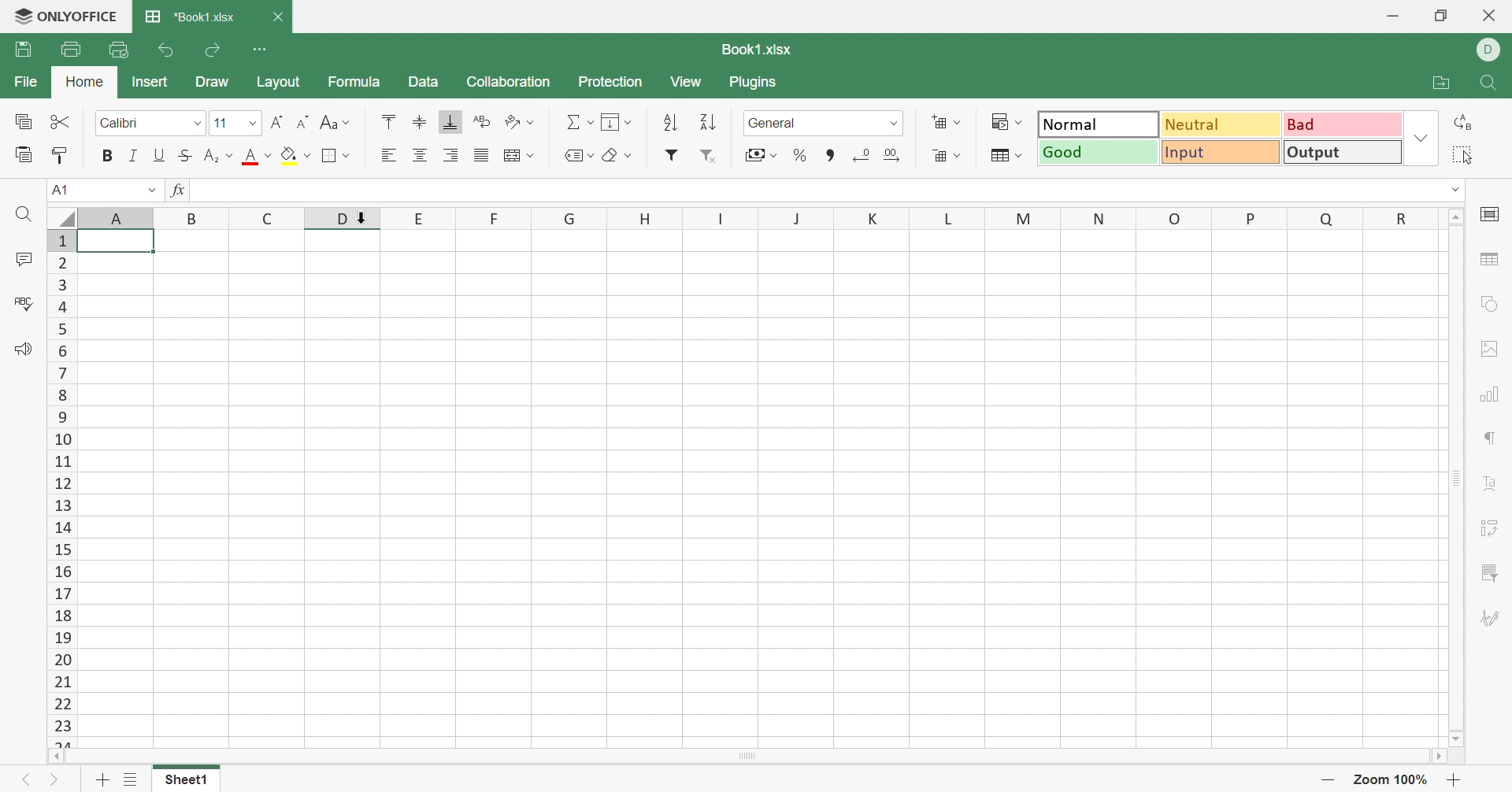  I want to click on Formula, so click(355, 80).